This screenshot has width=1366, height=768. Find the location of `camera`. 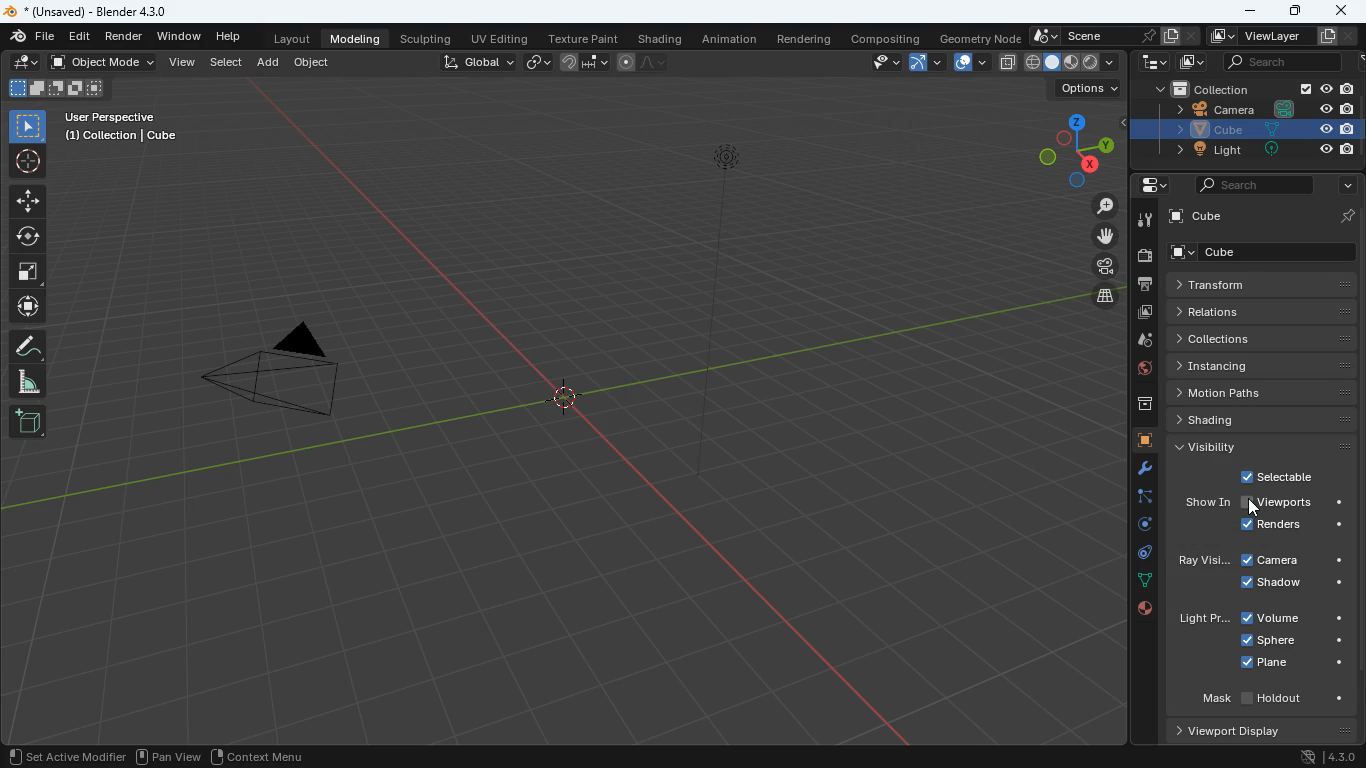

camera is located at coordinates (1099, 267).